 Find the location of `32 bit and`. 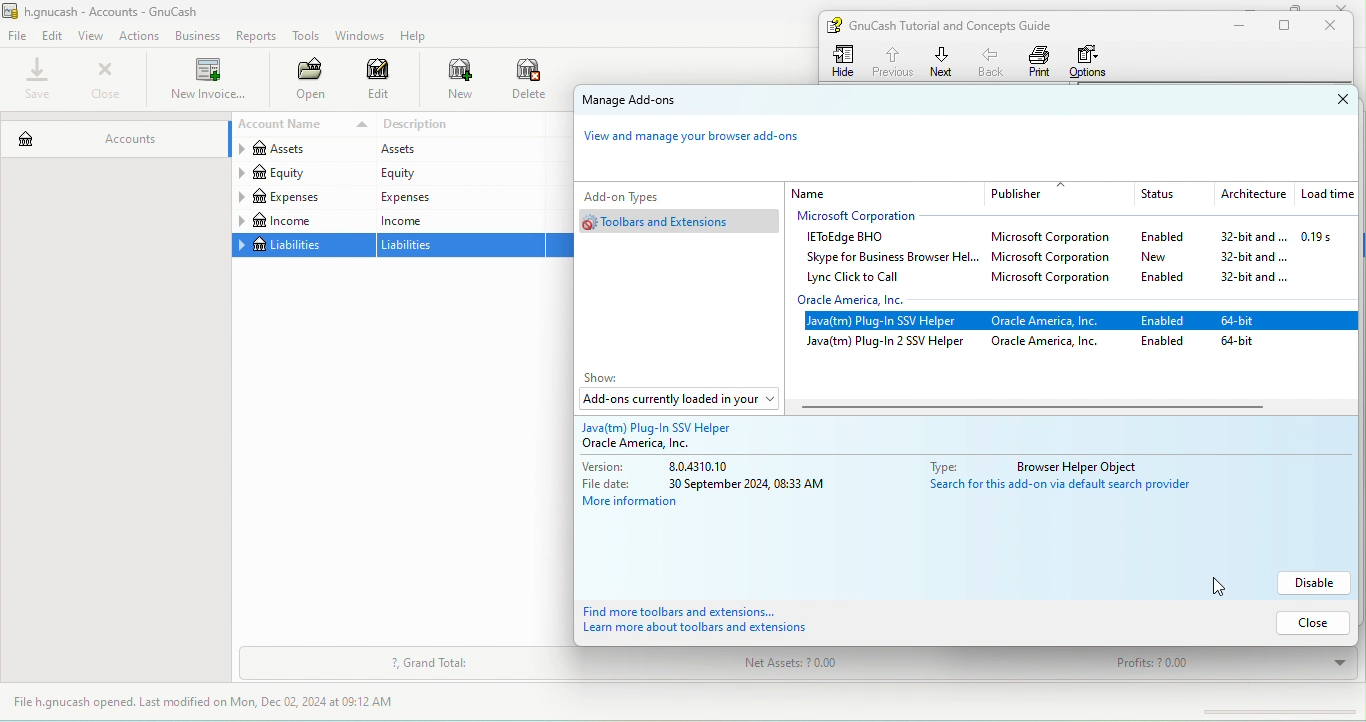

32 bit and is located at coordinates (1253, 257).